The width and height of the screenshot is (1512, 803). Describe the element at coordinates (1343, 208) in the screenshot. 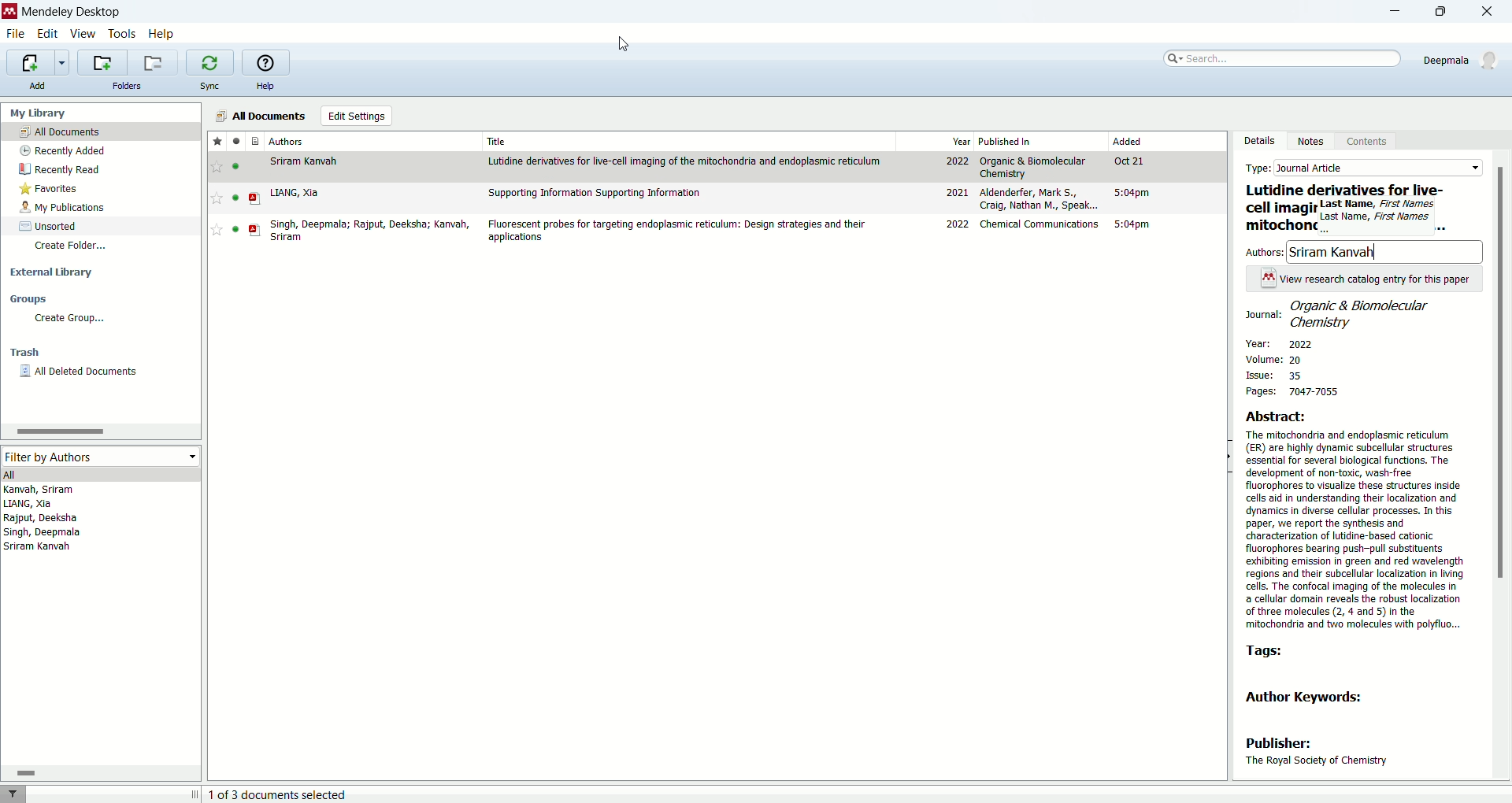

I see `| Lutidine derivatives for live-
cell imaging of the
mitochondria and endopla...` at that location.